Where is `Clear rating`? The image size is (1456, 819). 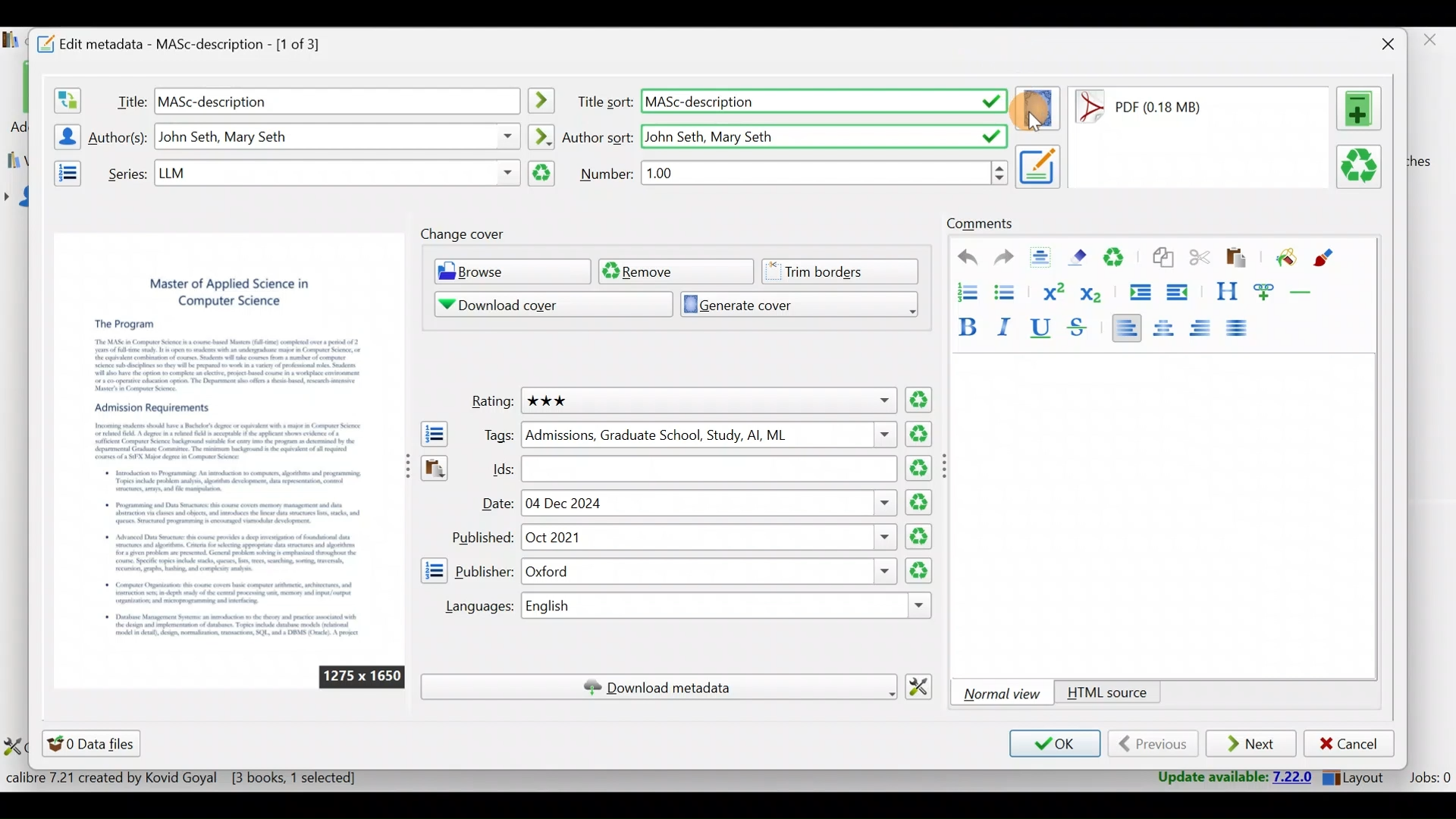
Clear rating is located at coordinates (920, 401).